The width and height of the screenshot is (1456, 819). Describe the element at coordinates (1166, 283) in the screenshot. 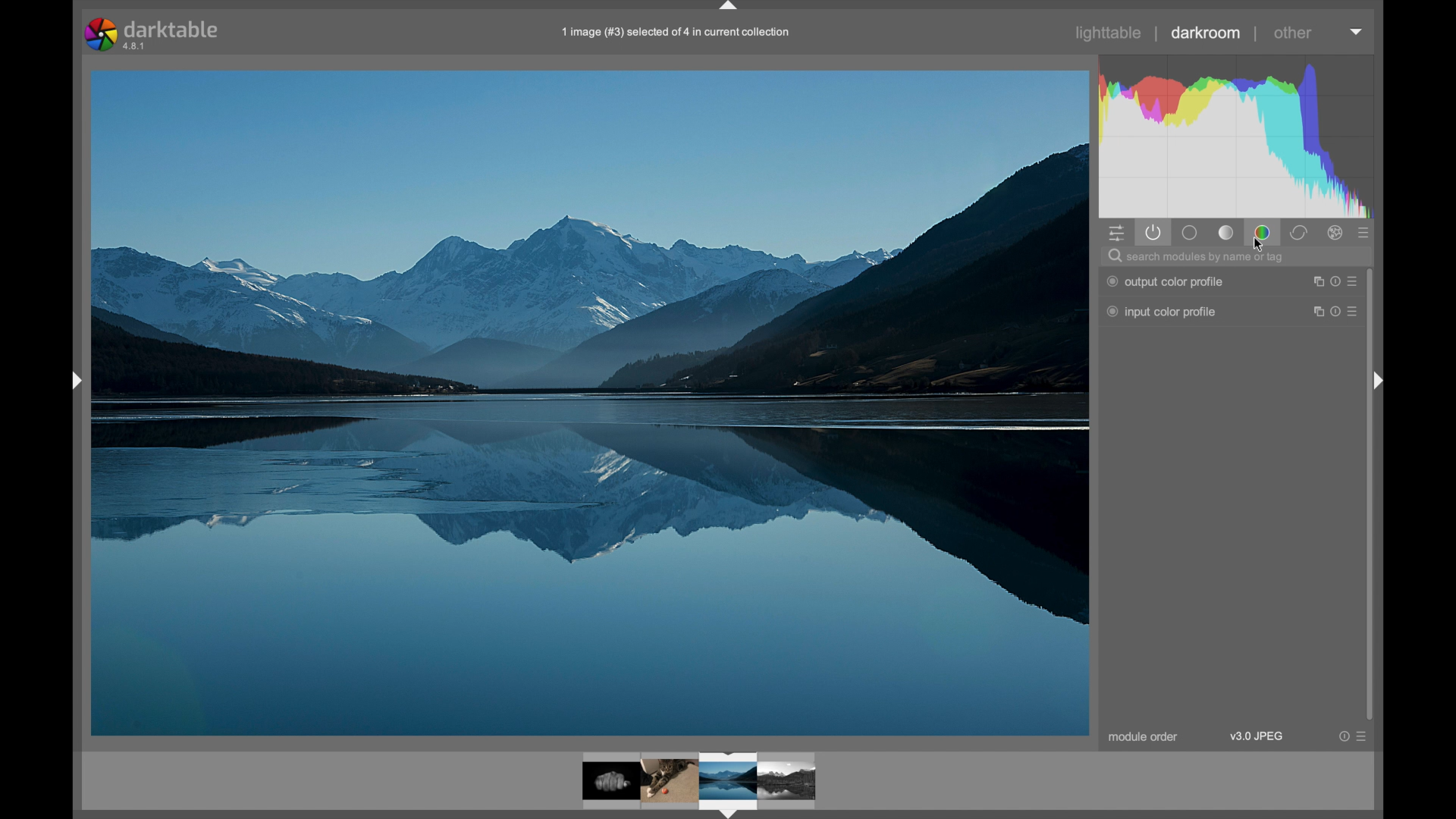

I see `output color profile` at that location.